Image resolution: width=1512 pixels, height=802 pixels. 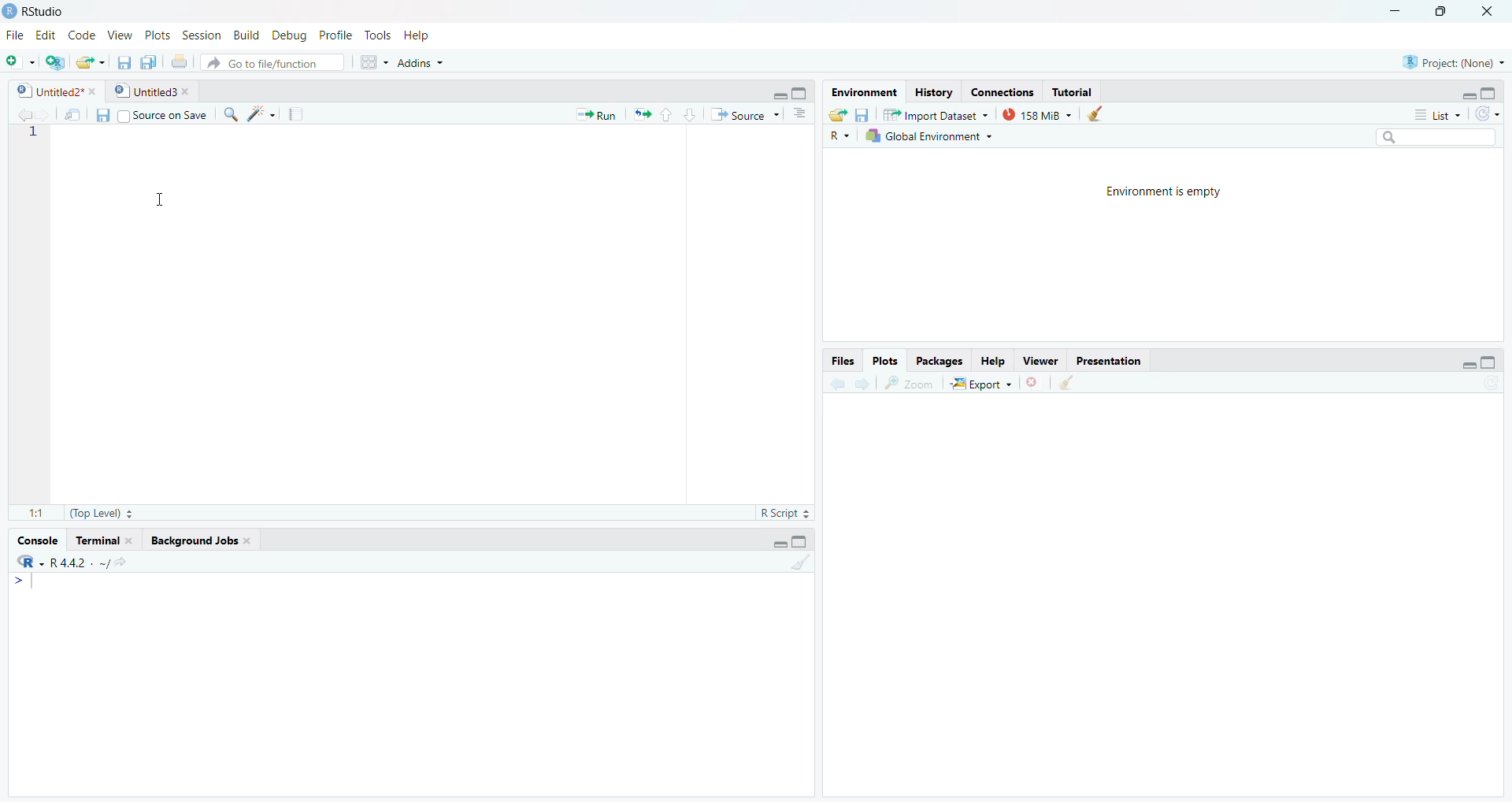 I want to click on Open project, so click(x=91, y=59).